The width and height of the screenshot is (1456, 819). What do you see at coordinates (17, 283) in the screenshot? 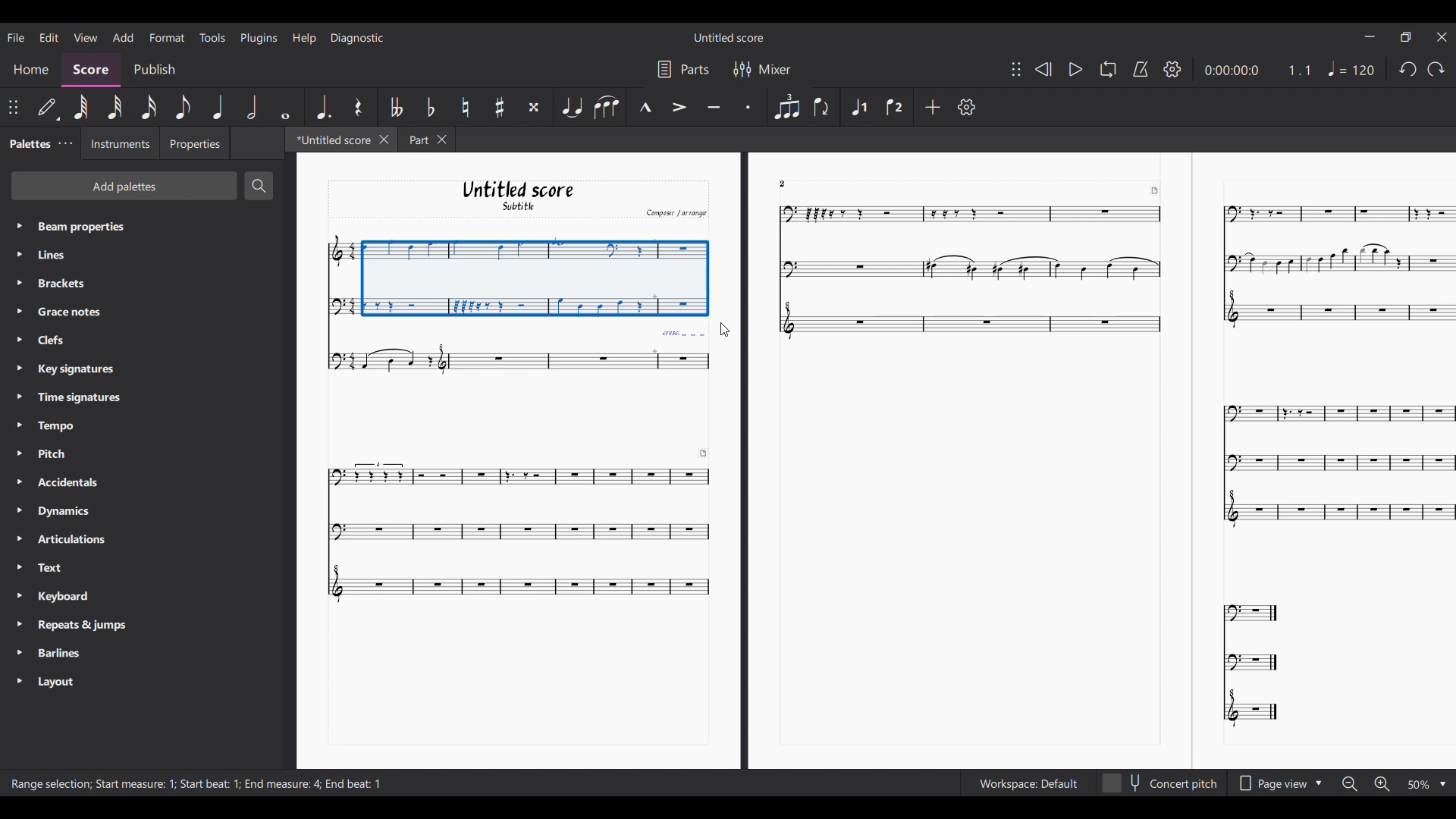
I see `Highlighted by cursor` at bounding box center [17, 283].